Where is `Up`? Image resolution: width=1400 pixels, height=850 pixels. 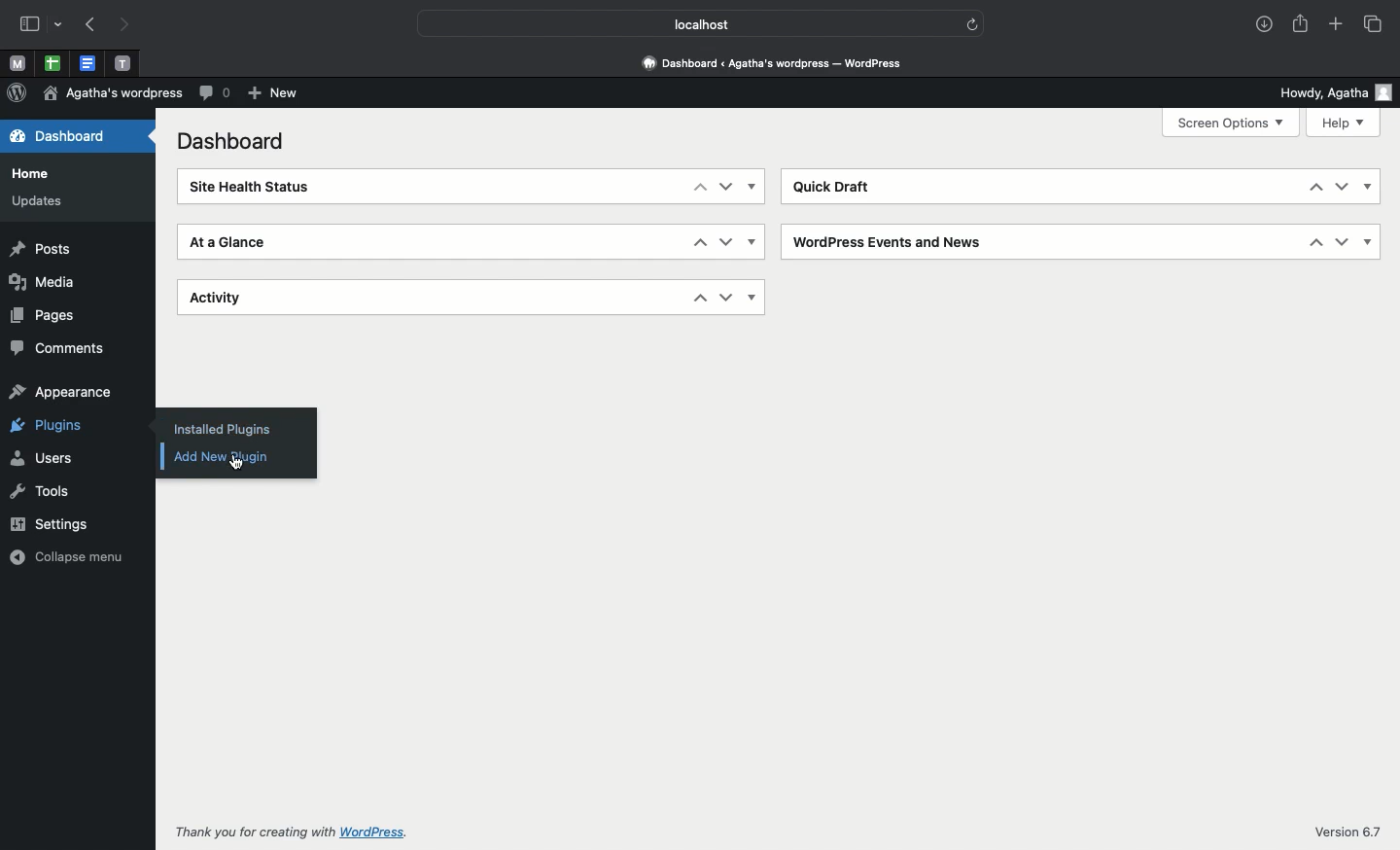 Up is located at coordinates (696, 185).